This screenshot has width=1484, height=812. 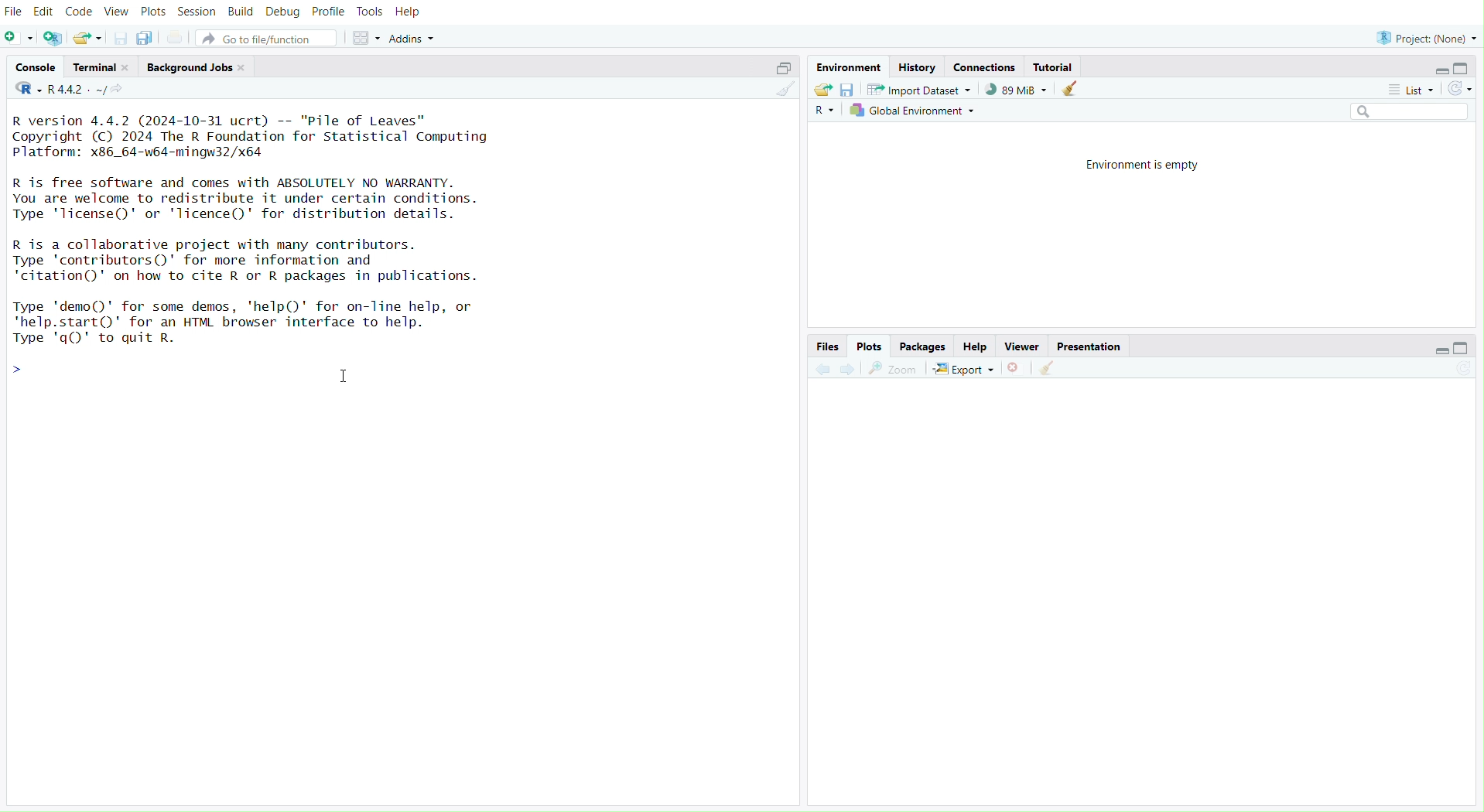 I want to click on Help, so click(x=976, y=346).